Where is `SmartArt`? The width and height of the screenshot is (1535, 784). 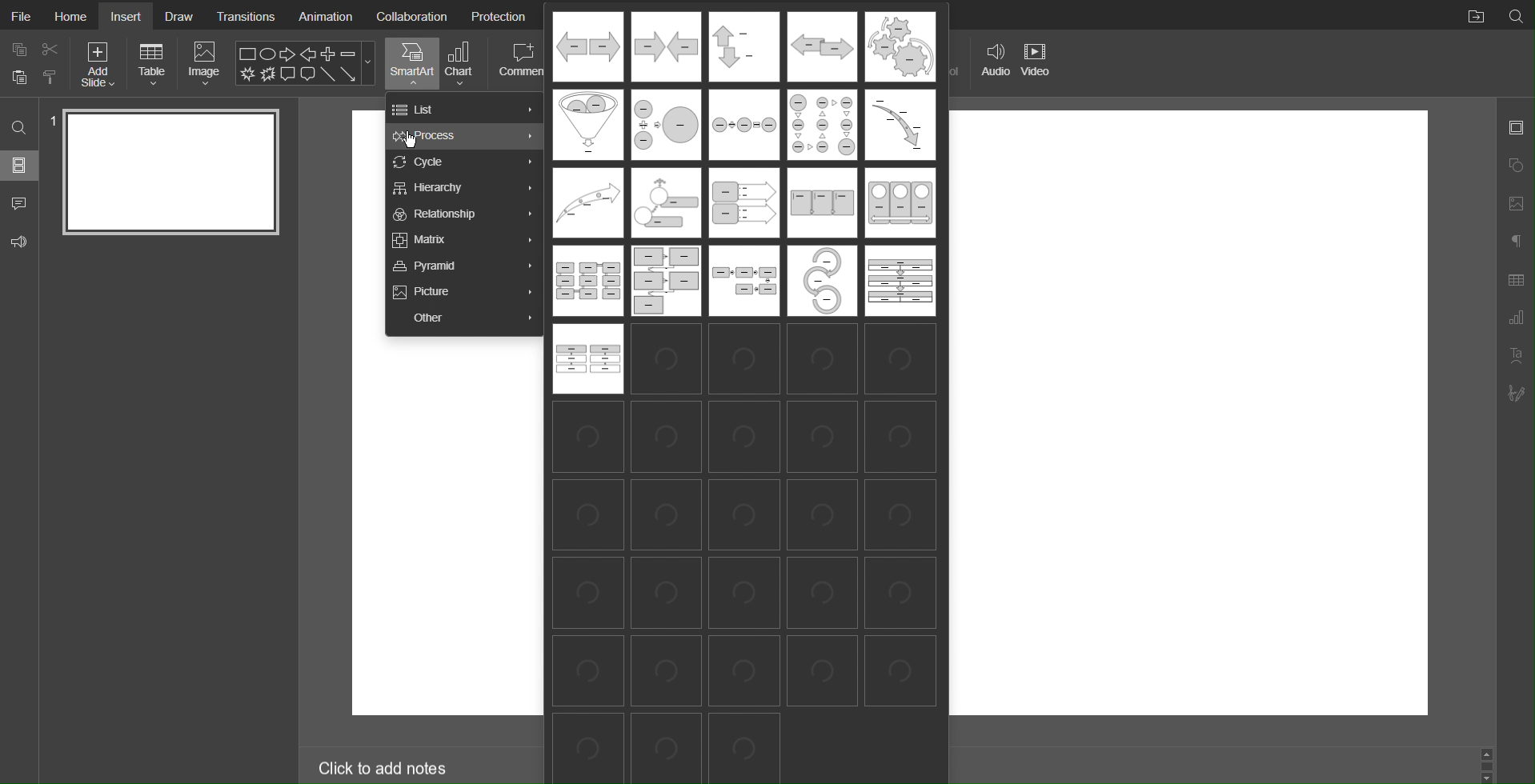
SmartArt is located at coordinates (411, 64).